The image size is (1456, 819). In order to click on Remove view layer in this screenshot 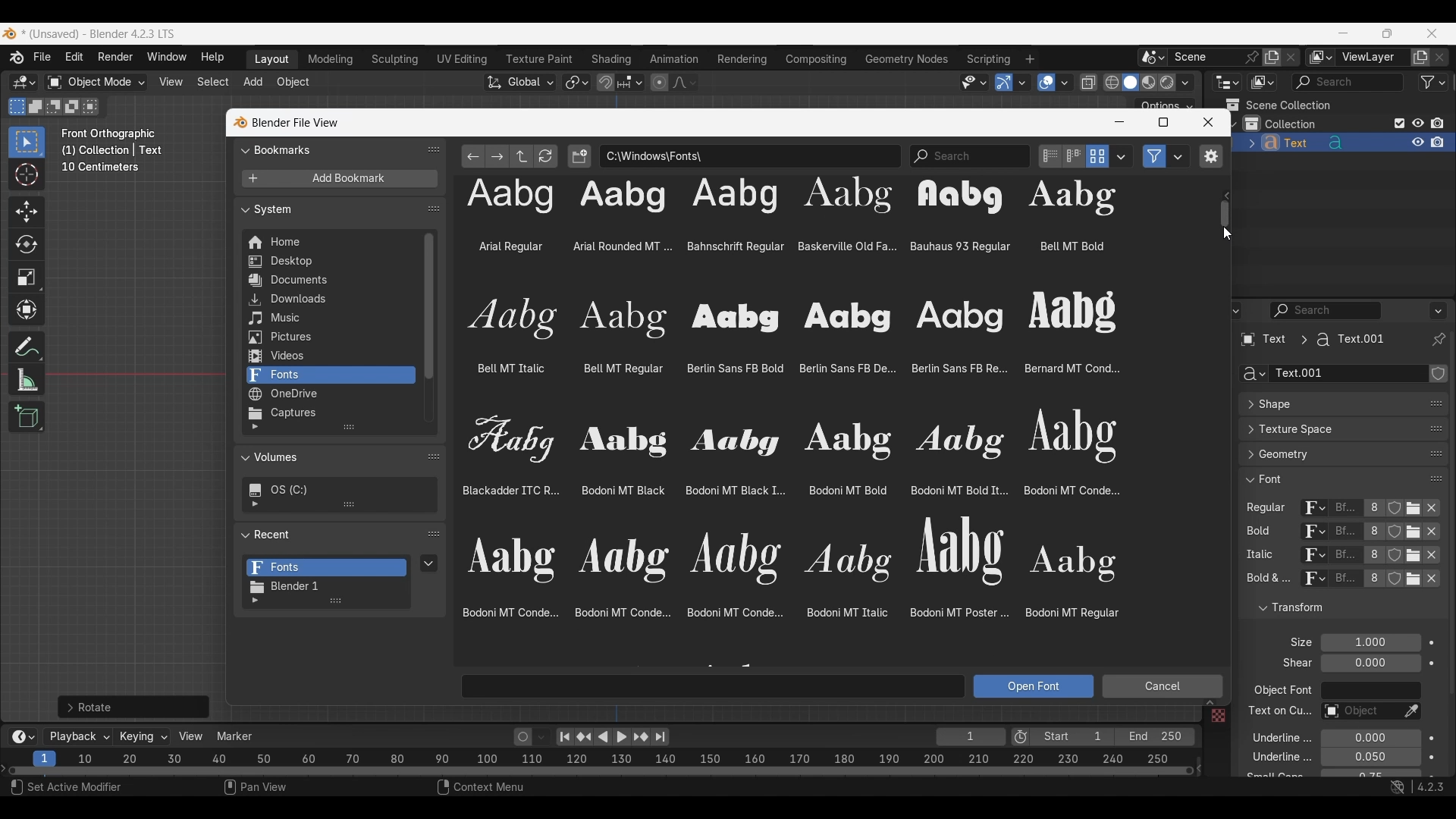, I will do `click(1440, 57)`.